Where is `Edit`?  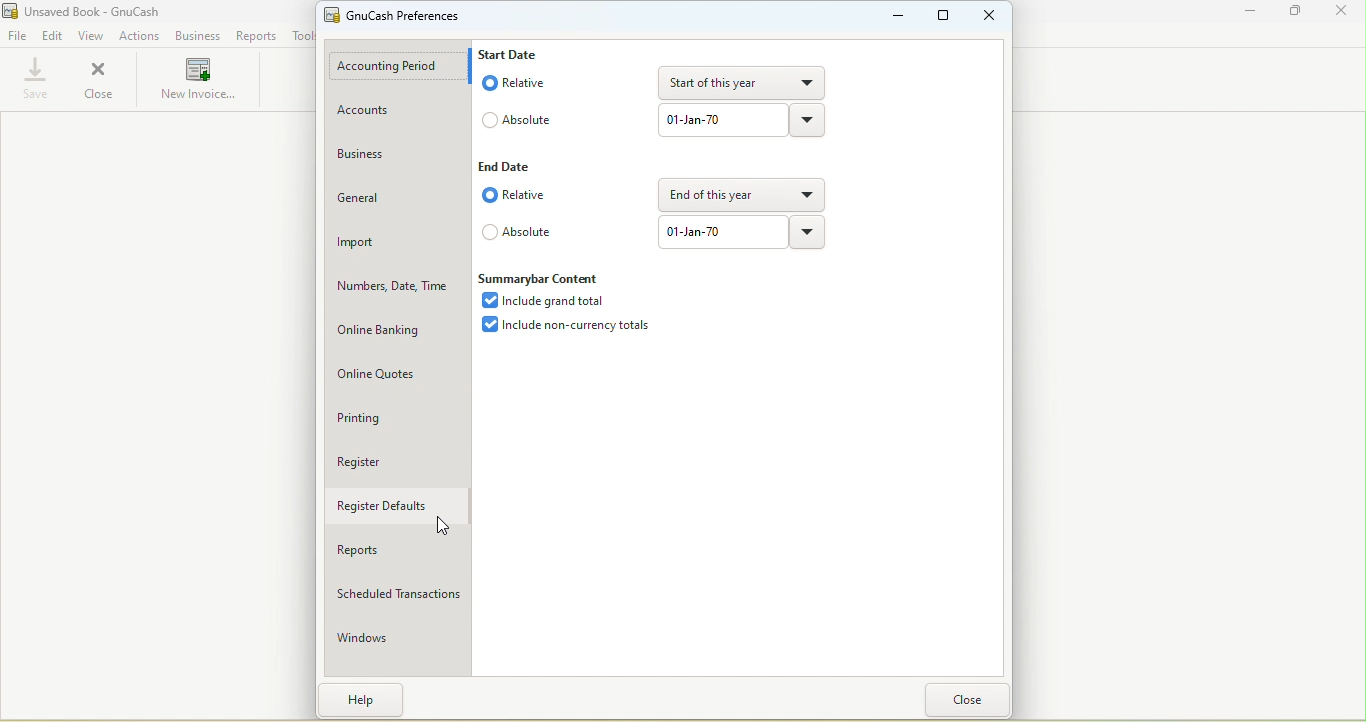
Edit is located at coordinates (54, 38).